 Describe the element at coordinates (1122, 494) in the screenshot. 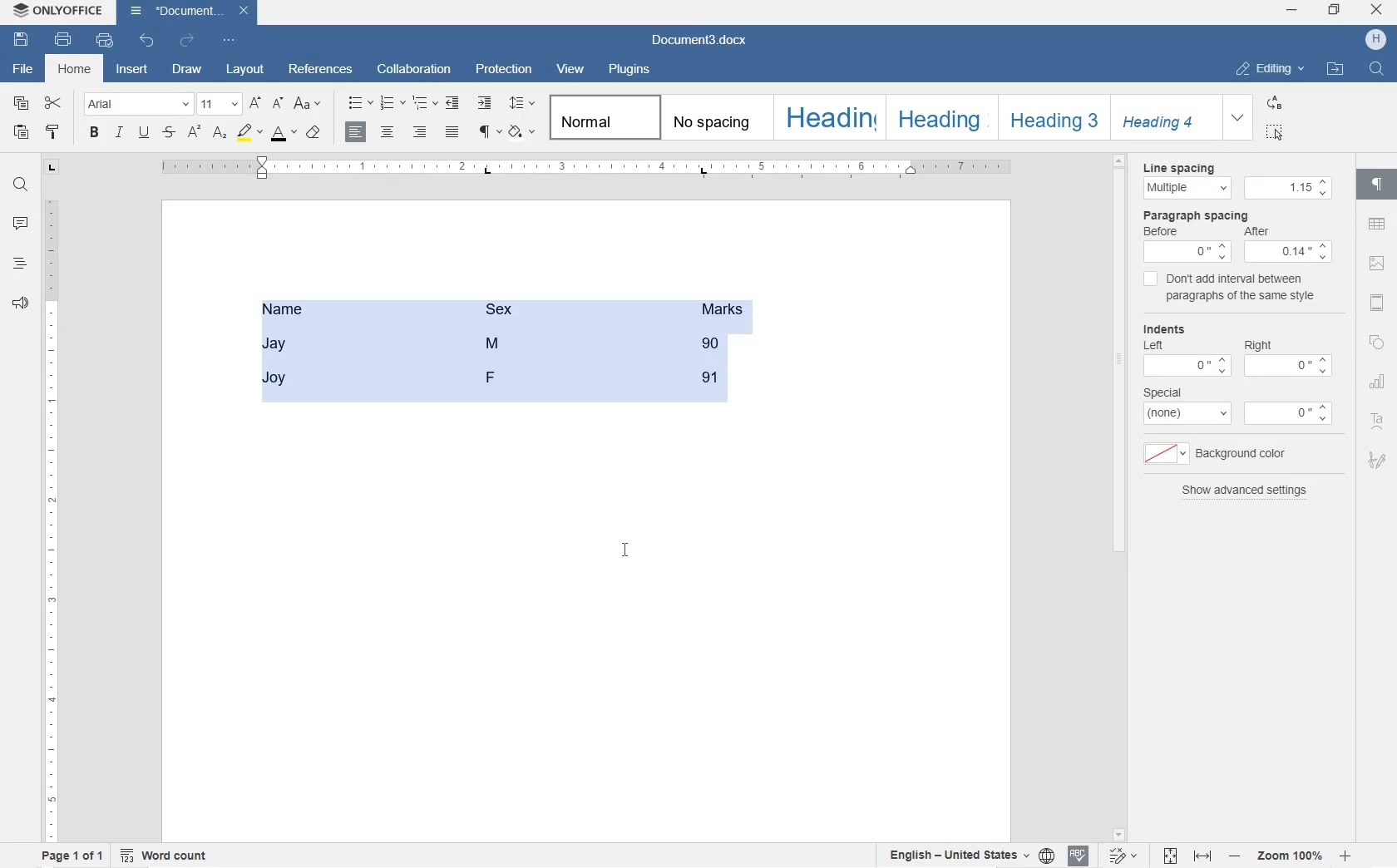

I see `scrollbar` at that location.